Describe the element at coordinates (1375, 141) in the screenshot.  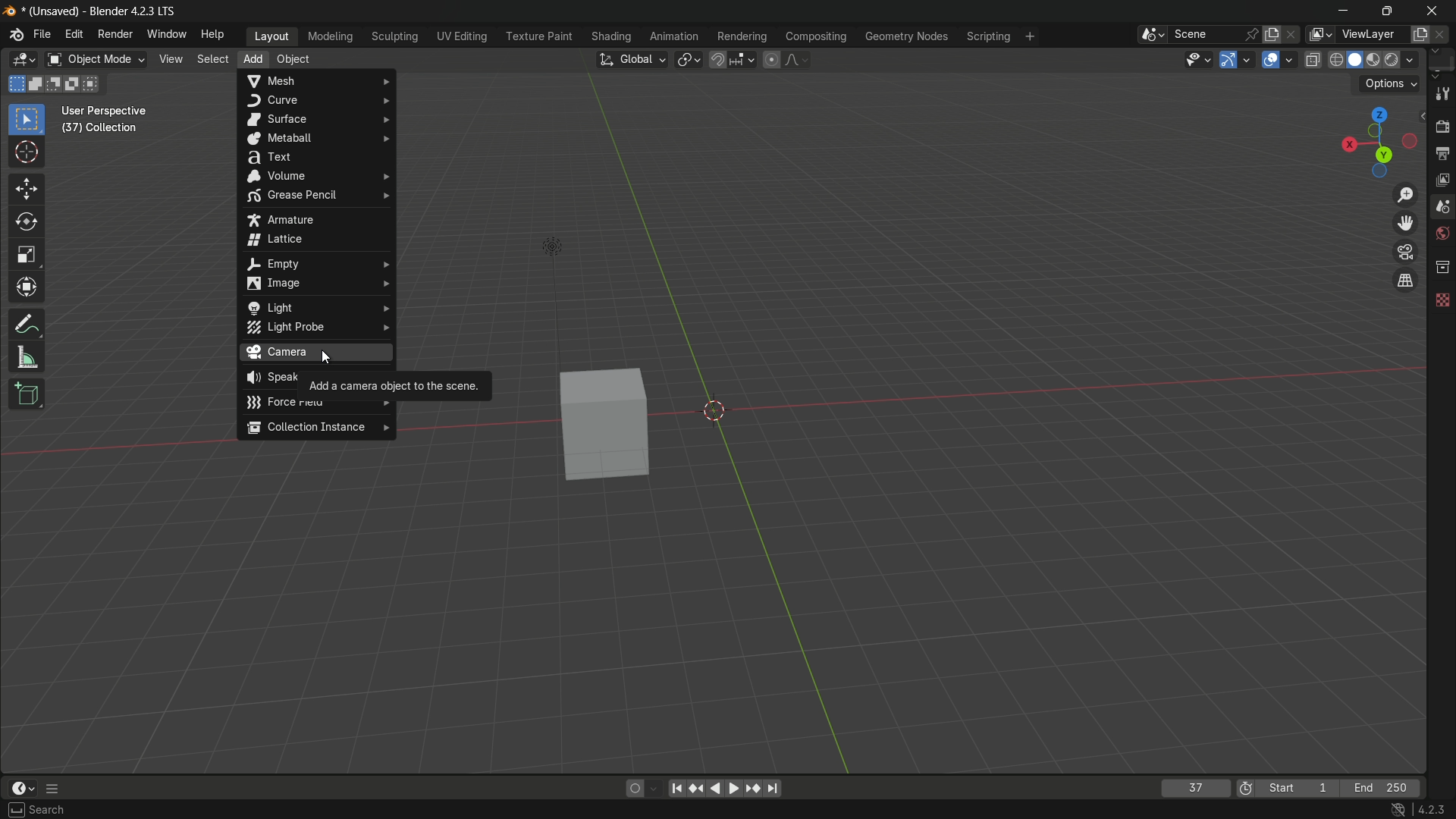
I see `viewport preset` at that location.